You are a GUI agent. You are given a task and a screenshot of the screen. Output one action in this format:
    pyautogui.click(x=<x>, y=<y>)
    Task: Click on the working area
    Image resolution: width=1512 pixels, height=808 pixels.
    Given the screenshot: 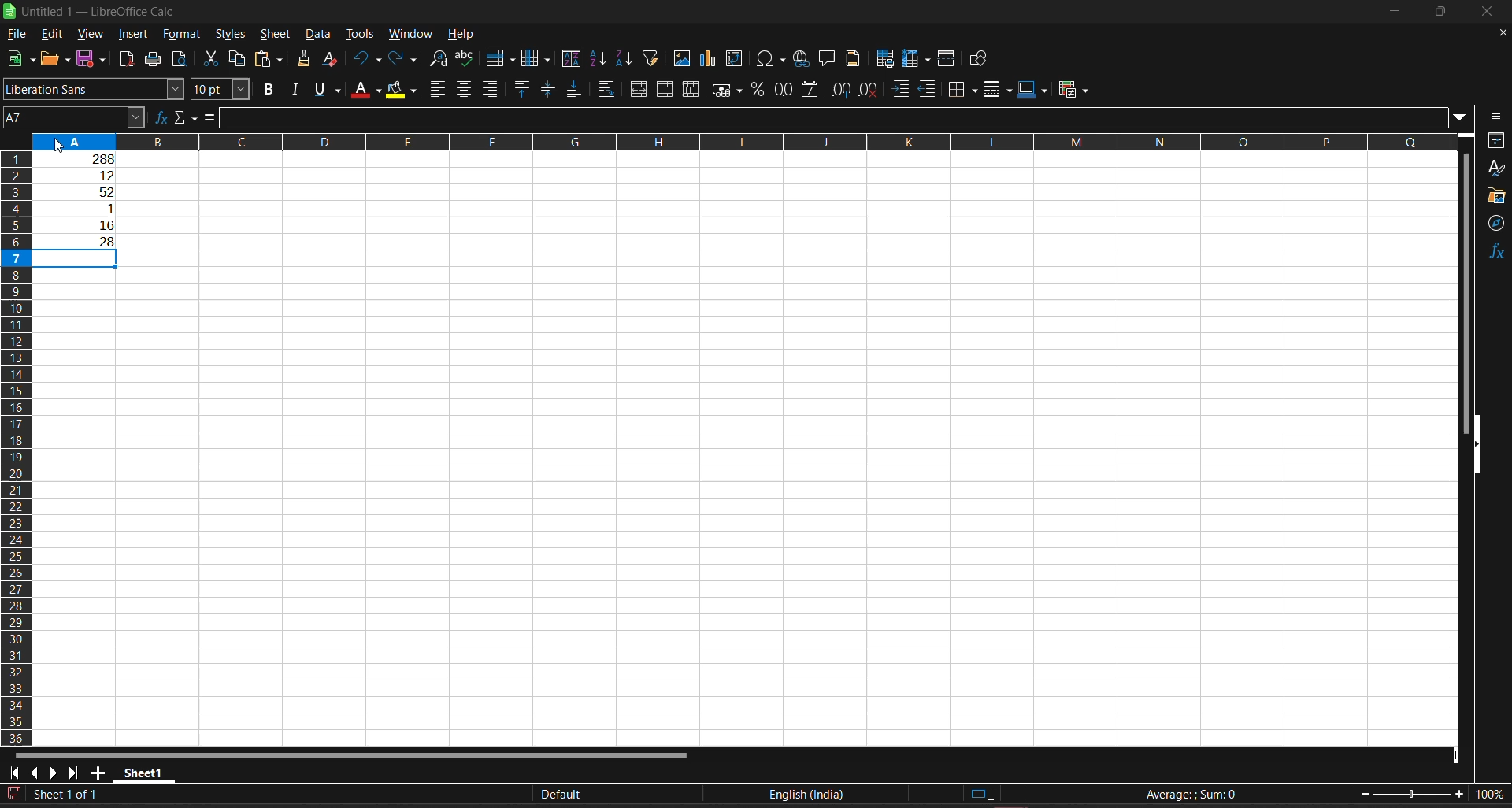 What is the action you would take?
    pyautogui.click(x=111, y=202)
    